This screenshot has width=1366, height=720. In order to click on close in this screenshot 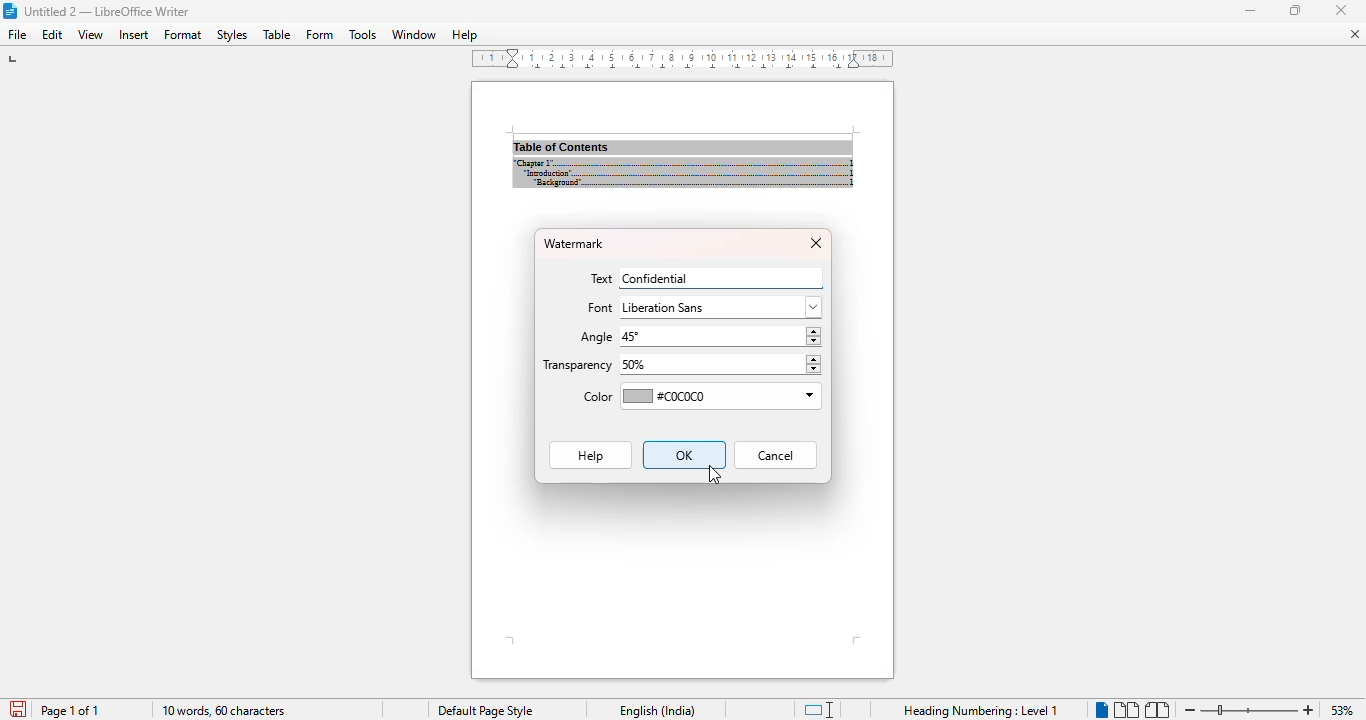, I will do `click(816, 243)`.